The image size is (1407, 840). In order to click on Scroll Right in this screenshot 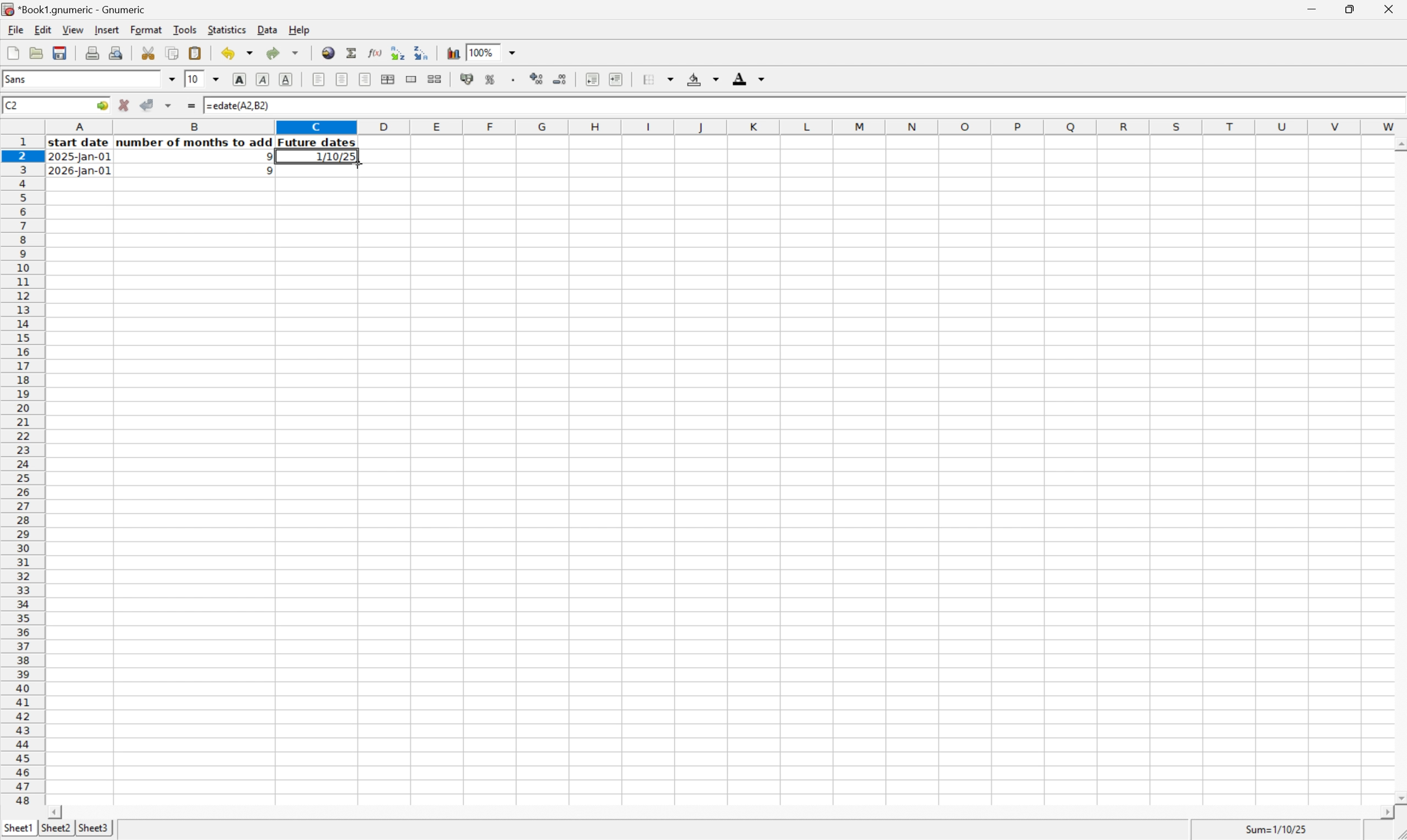, I will do `click(1383, 812)`.